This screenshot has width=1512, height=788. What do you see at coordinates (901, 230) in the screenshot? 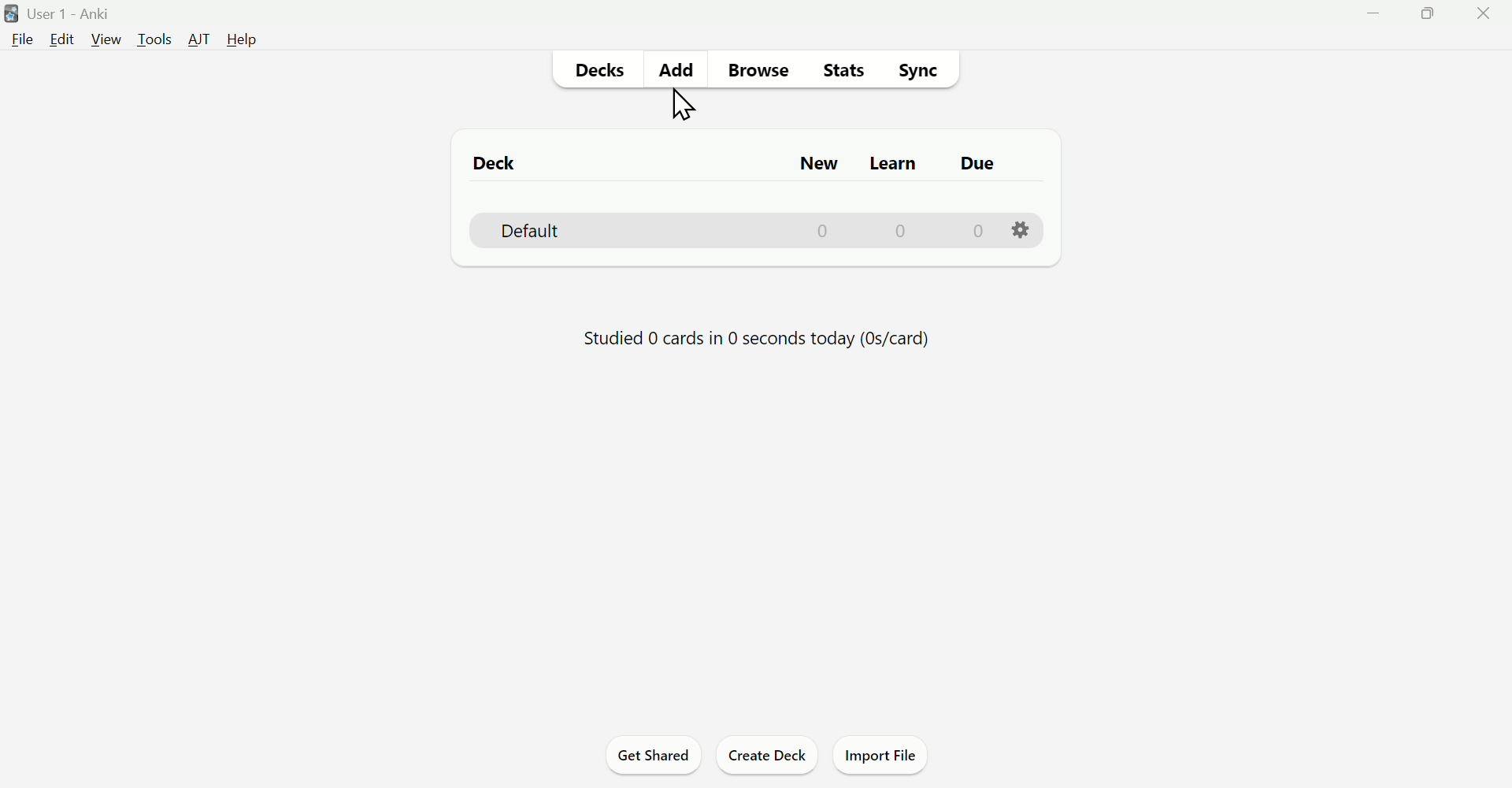
I see `0` at bounding box center [901, 230].